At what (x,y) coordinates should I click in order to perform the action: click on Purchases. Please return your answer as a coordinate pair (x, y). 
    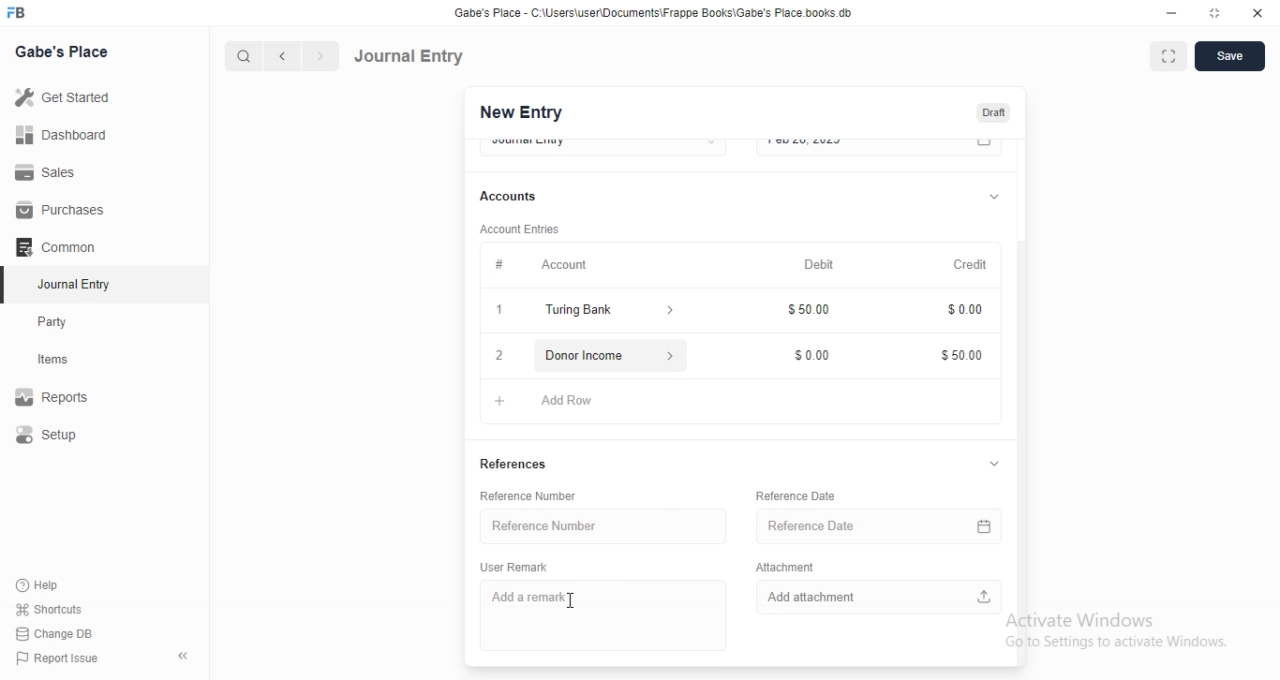
    Looking at the image, I should click on (63, 210).